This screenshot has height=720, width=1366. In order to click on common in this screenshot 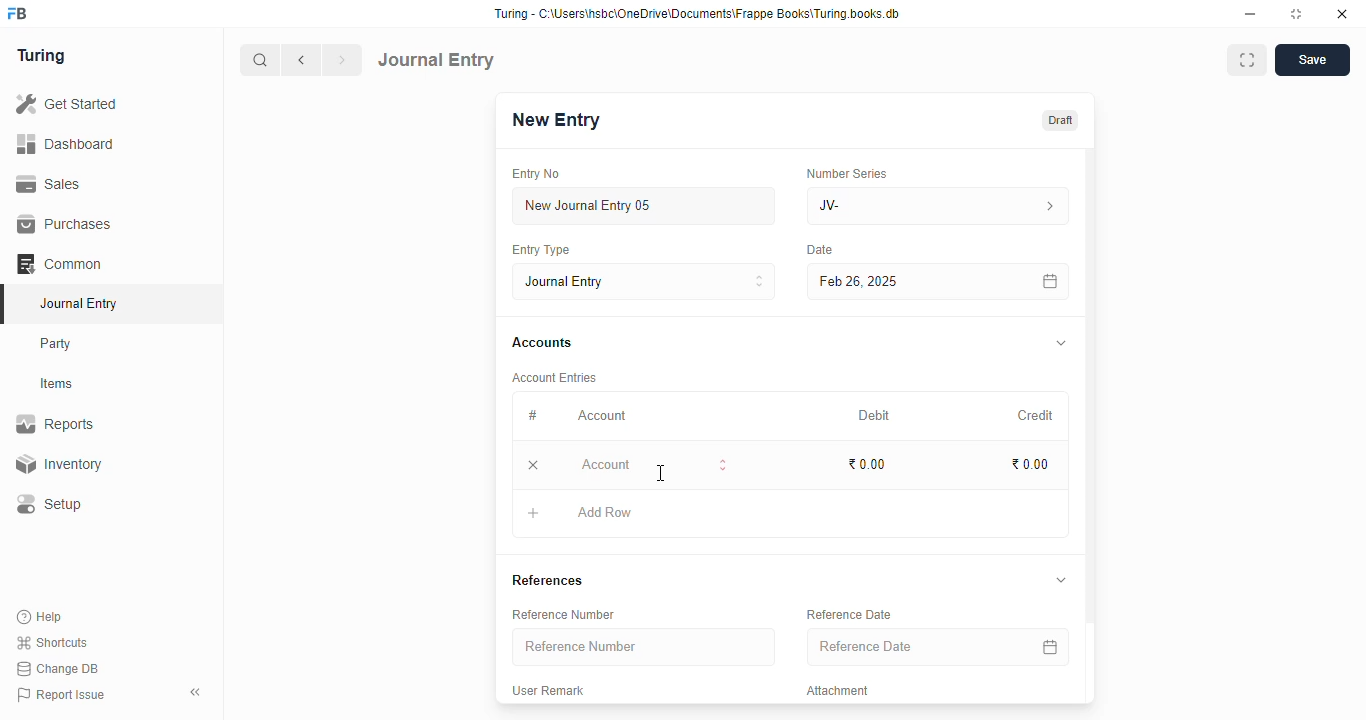, I will do `click(61, 264)`.